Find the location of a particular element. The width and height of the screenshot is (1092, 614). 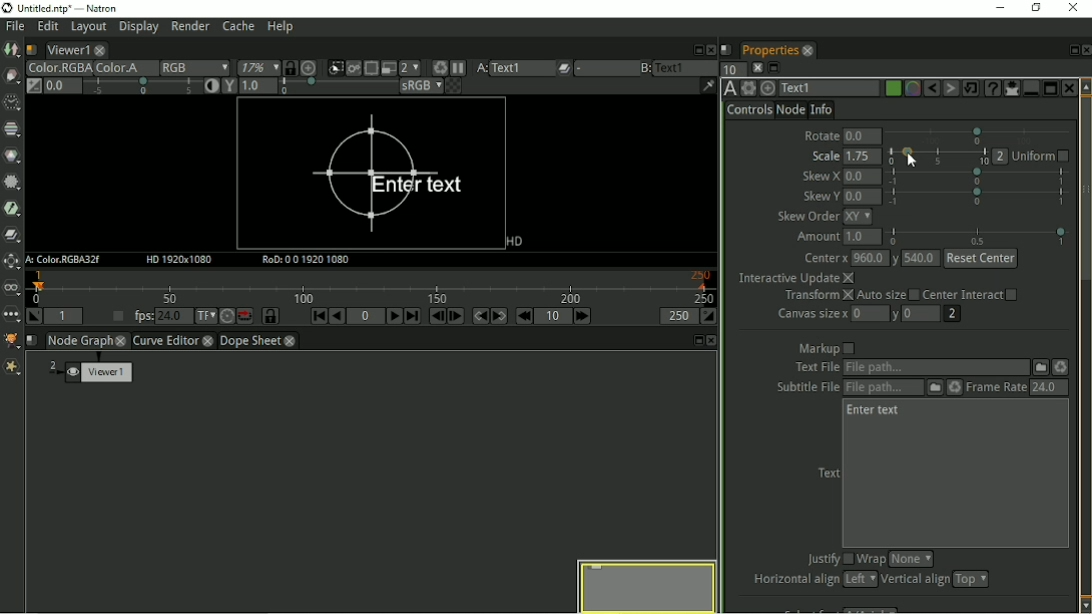

Subtitle file is located at coordinates (864, 387).